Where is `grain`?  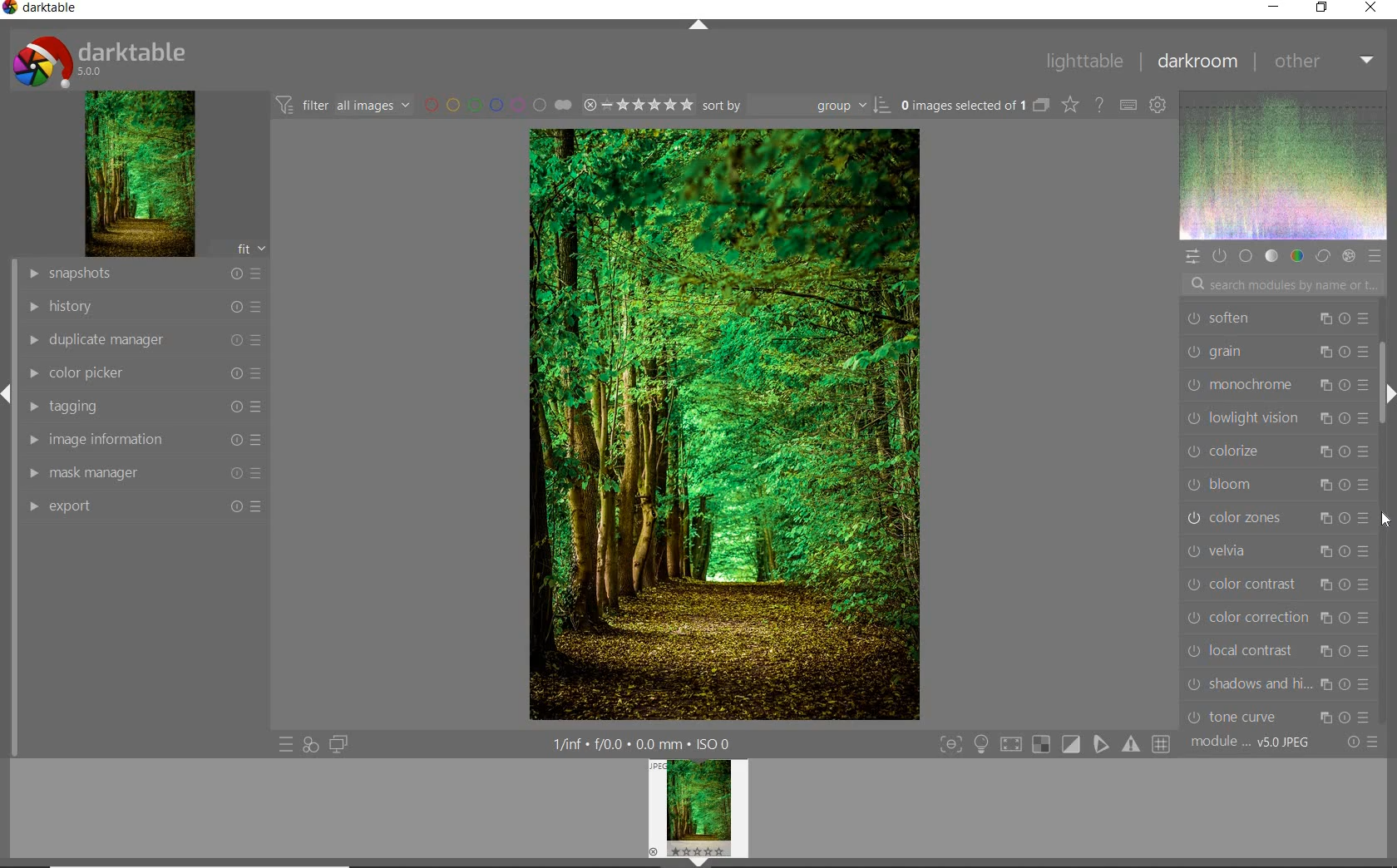
grain is located at coordinates (1276, 352).